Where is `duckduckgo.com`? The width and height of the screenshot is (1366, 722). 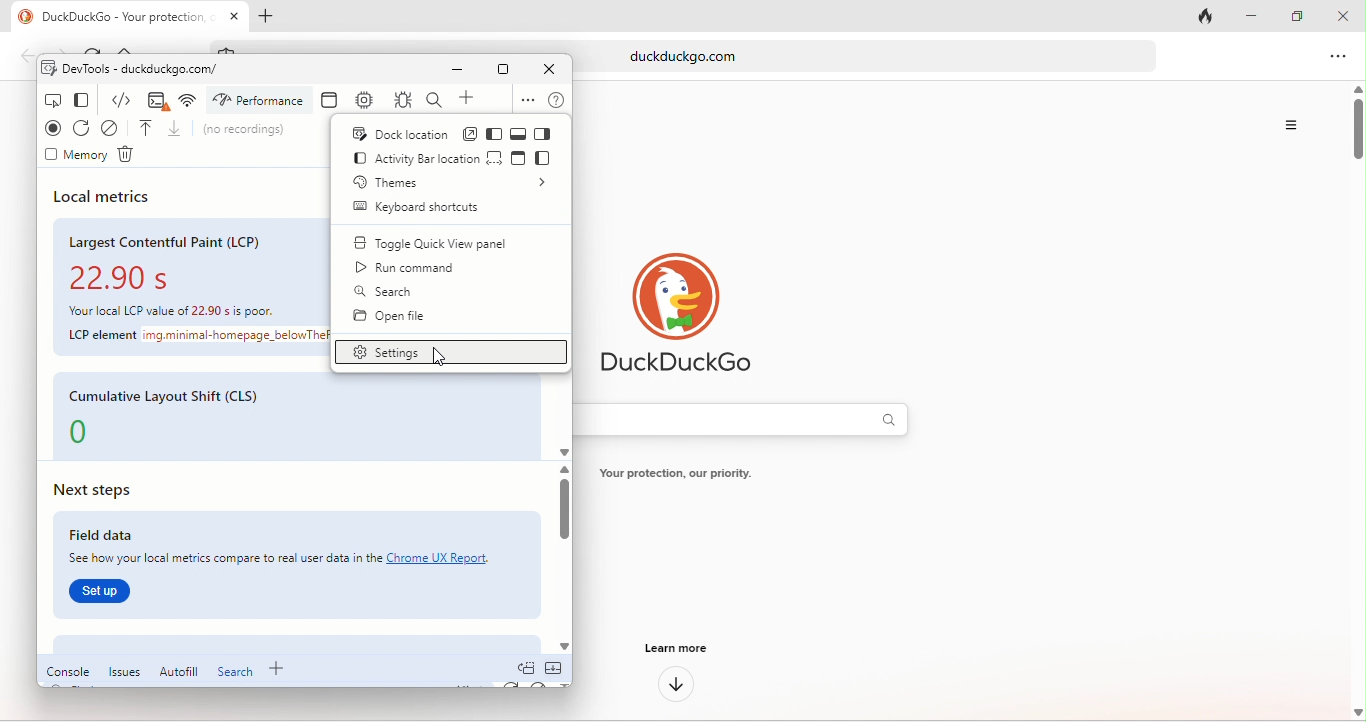 duckduckgo.com is located at coordinates (903, 56).